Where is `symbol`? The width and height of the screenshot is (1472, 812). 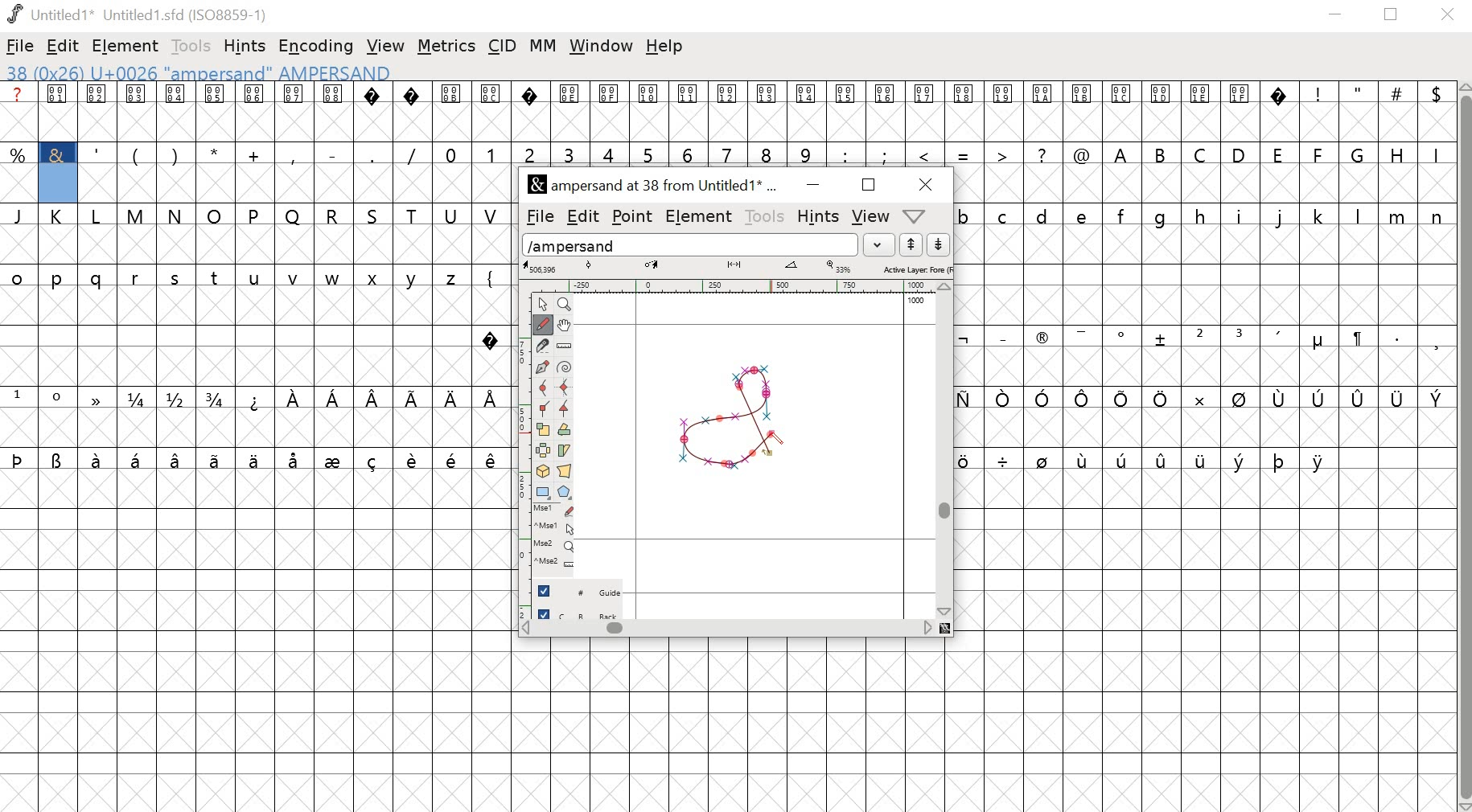
symbol is located at coordinates (1163, 457).